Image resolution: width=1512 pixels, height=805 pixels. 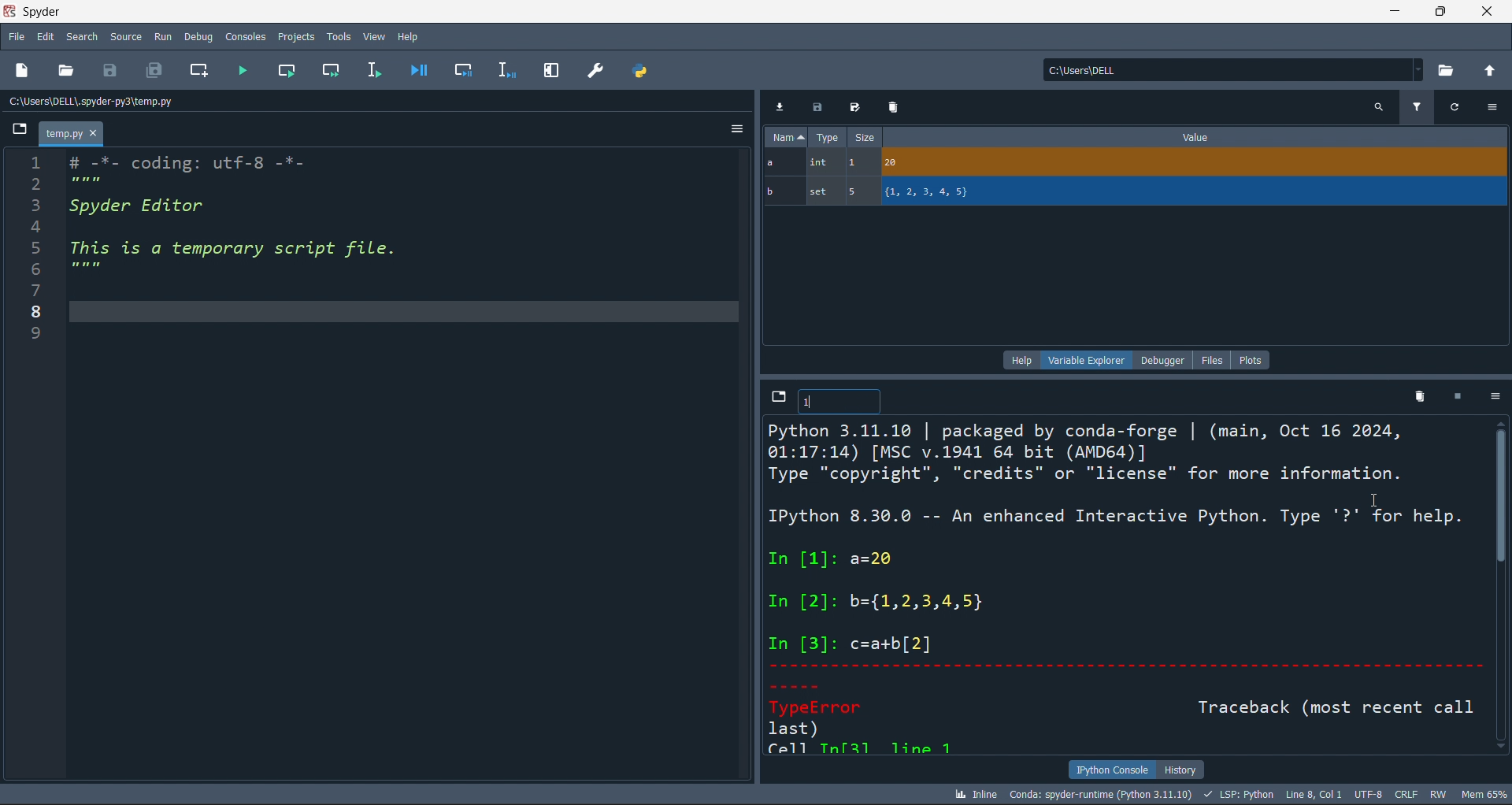 What do you see at coordinates (135, 102) in the screenshot?
I see `c:\users\dell\.spyder-py3\temp.py` at bounding box center [135, 102].